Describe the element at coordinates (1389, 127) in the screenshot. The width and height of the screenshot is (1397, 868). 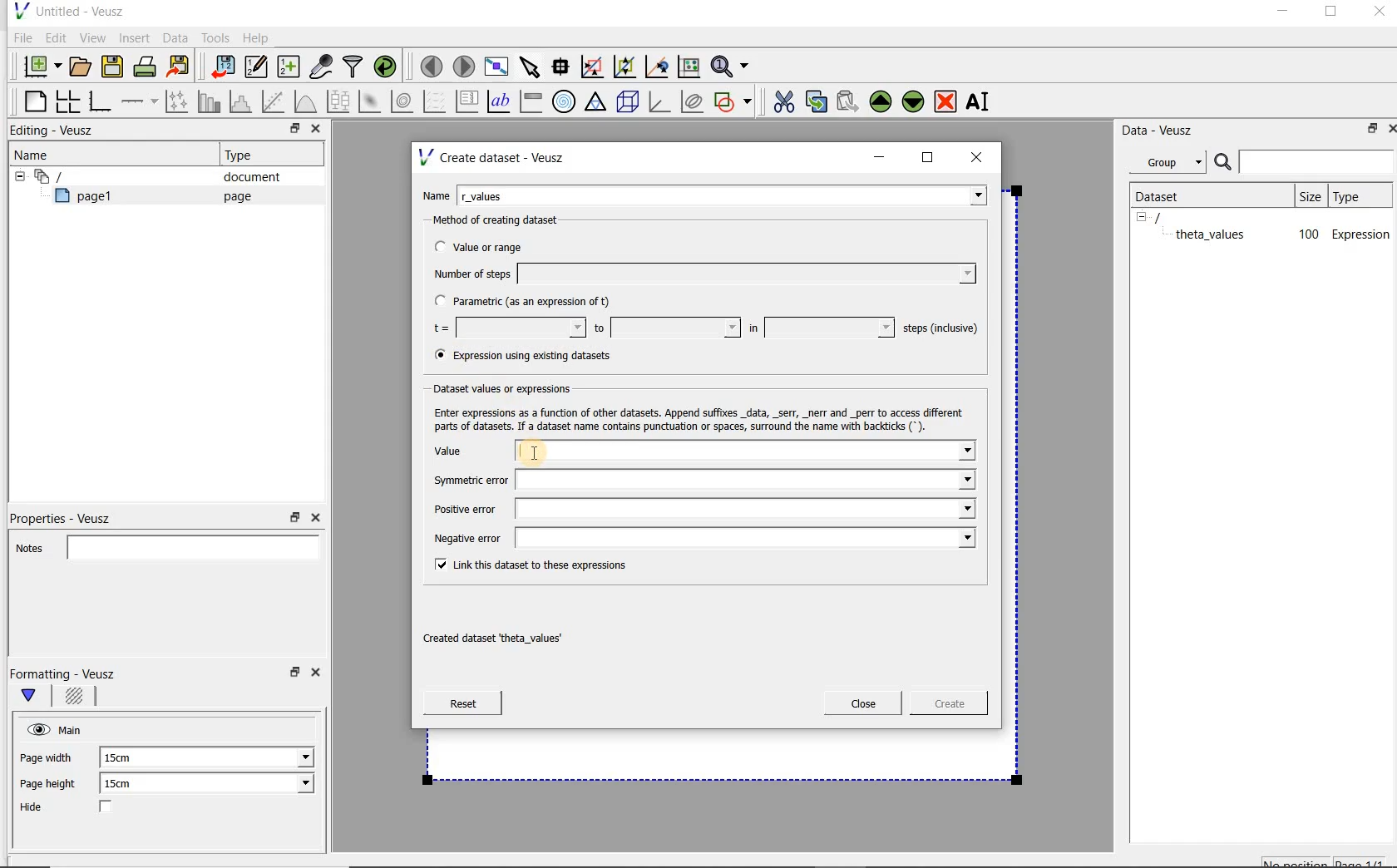
I see `Close` at that location.